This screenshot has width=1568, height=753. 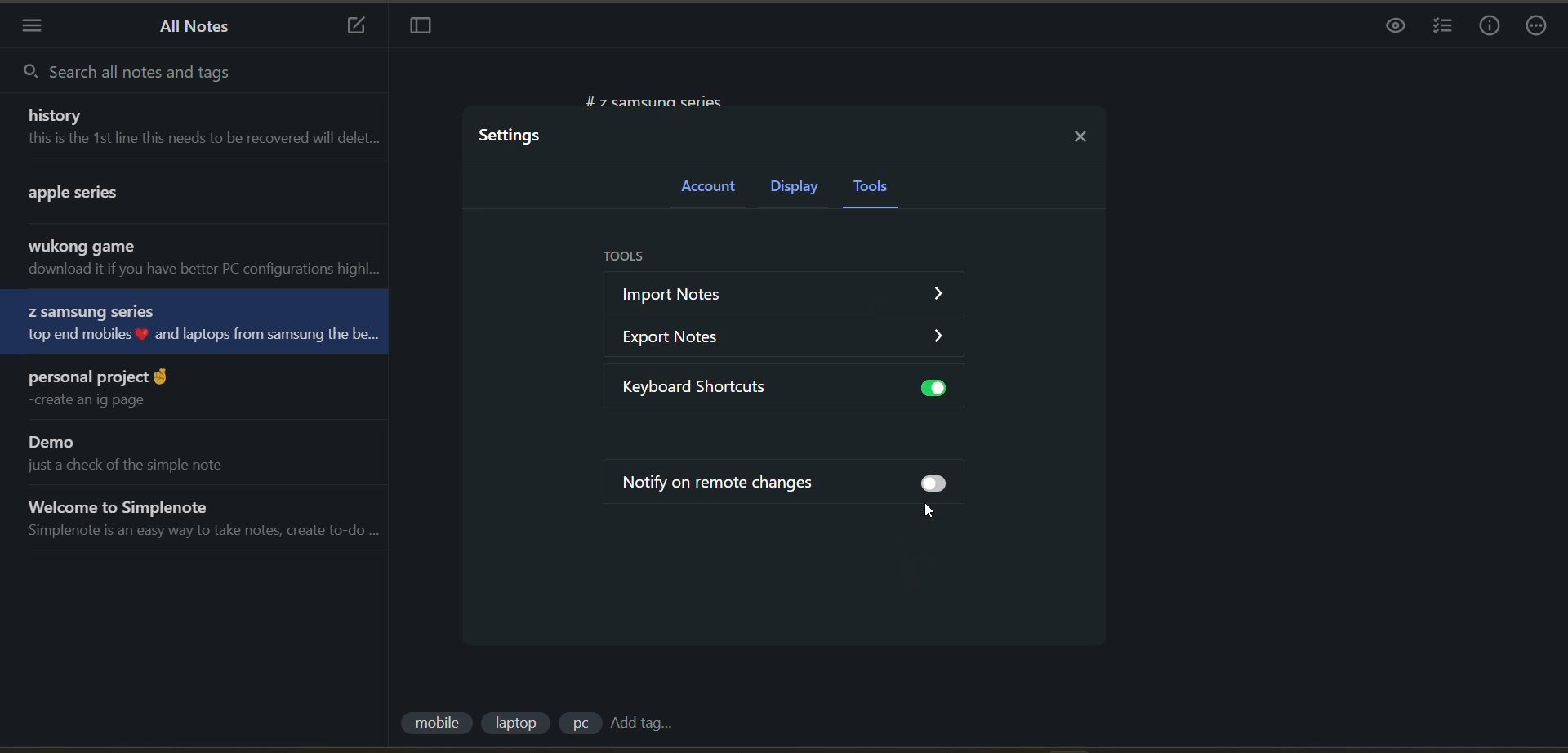 What do you see at coordinates (630, 256) in the screenshot?
I see `tools` at bounding box center [630, 256].